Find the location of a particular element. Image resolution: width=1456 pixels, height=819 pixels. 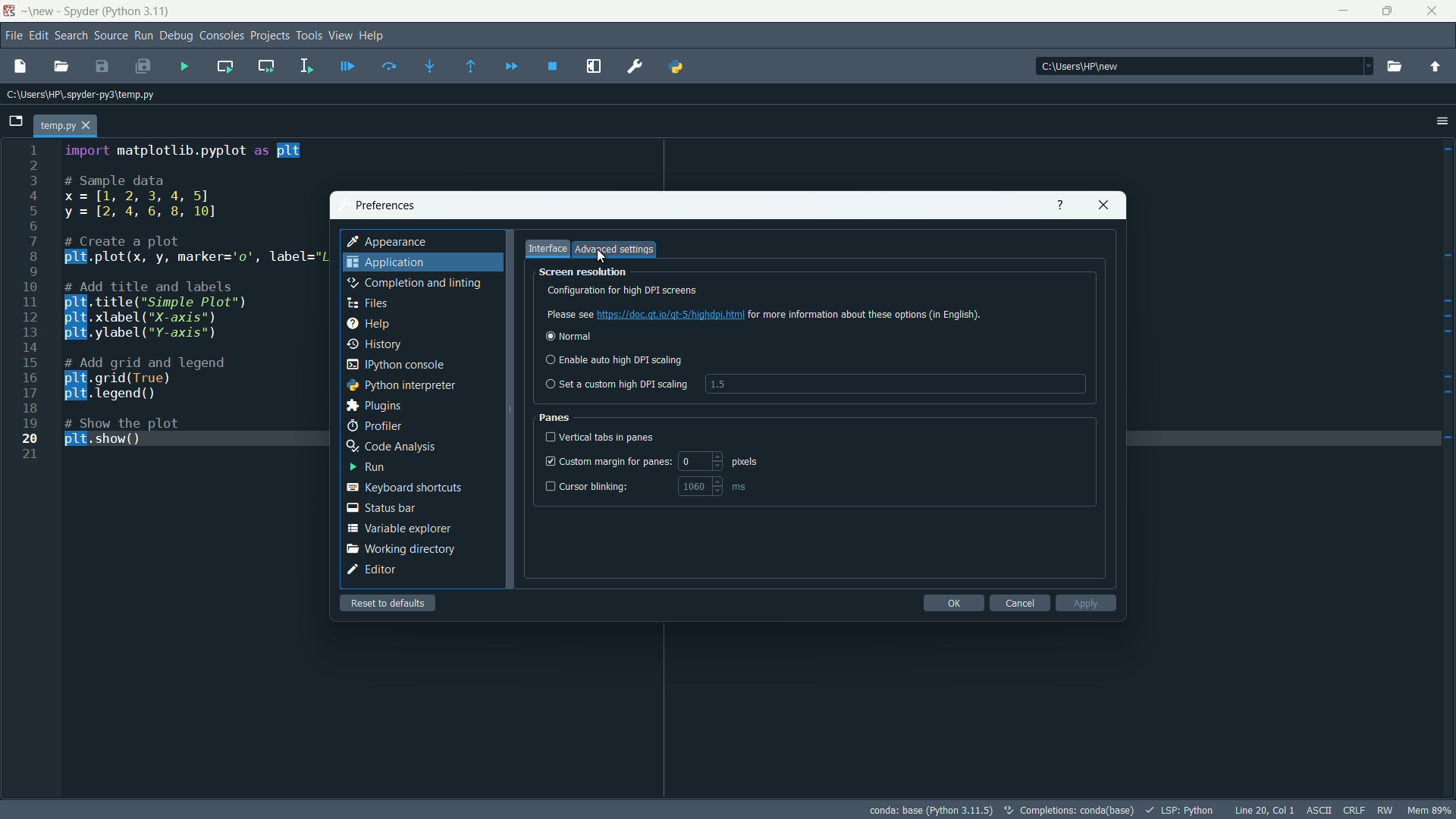

debug is located at coordinates (177, 36).